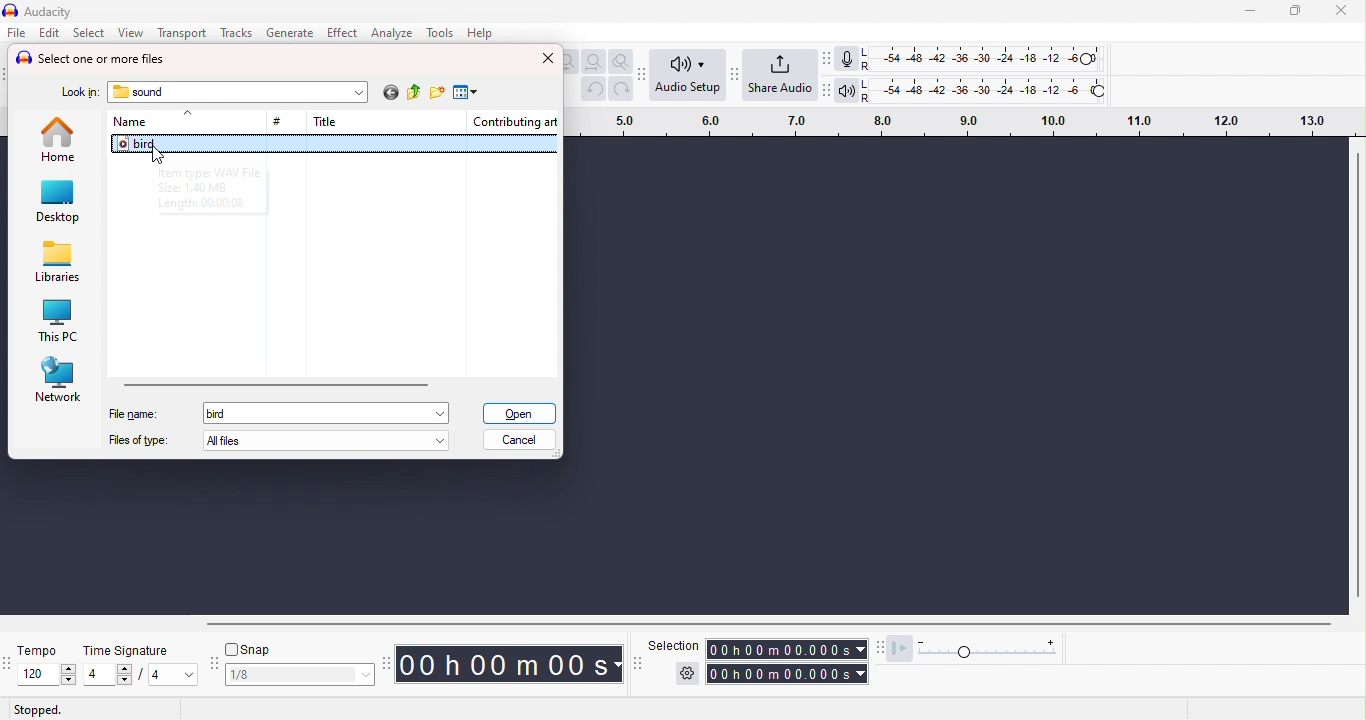 The height and width of the screenshot is (720, 1366). Describe the element at coordinates (570, 62) in the screenshot. I see `fit selection to width` at that location.